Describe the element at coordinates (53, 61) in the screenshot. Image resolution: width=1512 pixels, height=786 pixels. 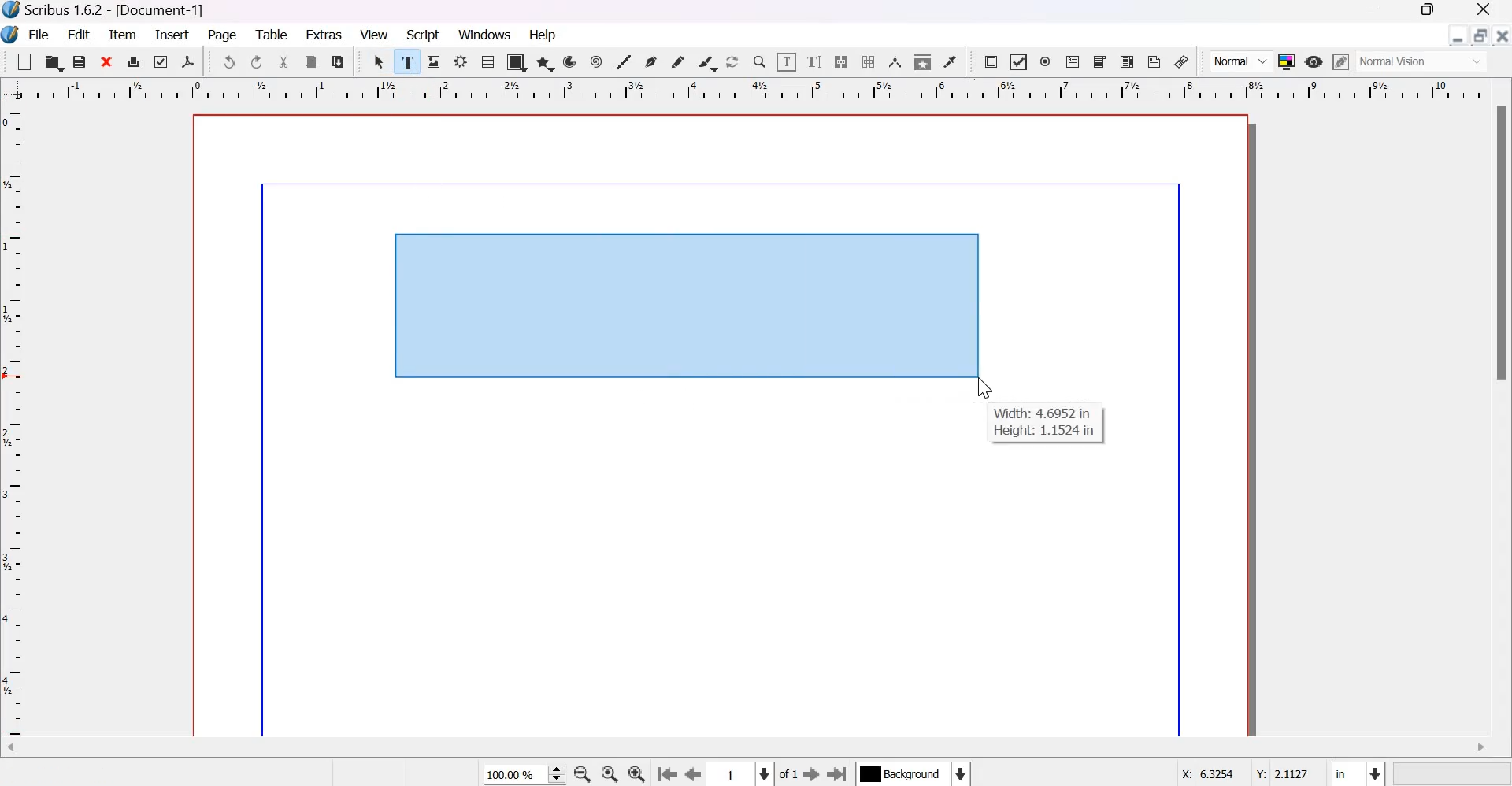
I see `open` at that location.